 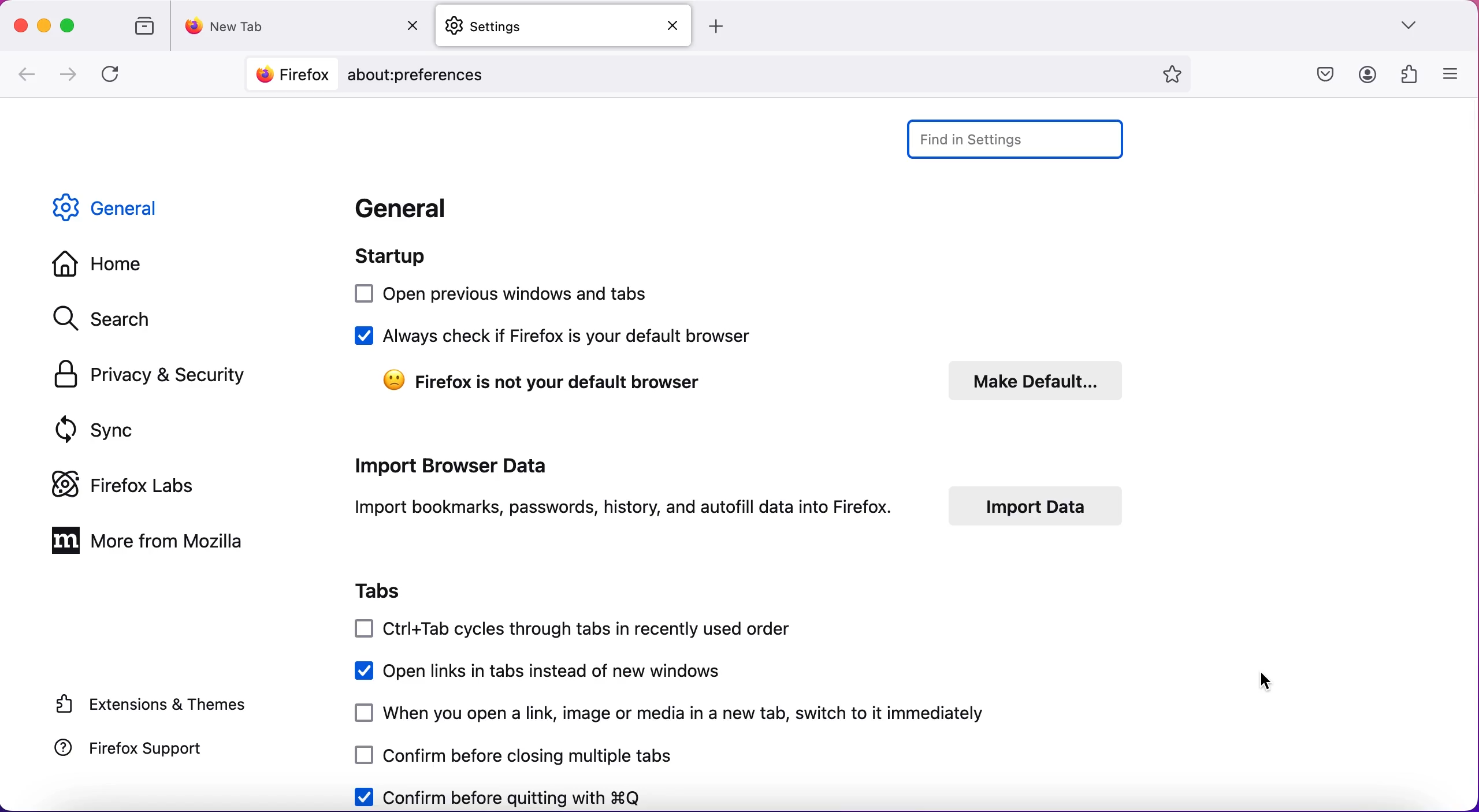 What do you see at coordinates (119, 204) in the screenshot?
I see `general` at bounding box center [119, 204].